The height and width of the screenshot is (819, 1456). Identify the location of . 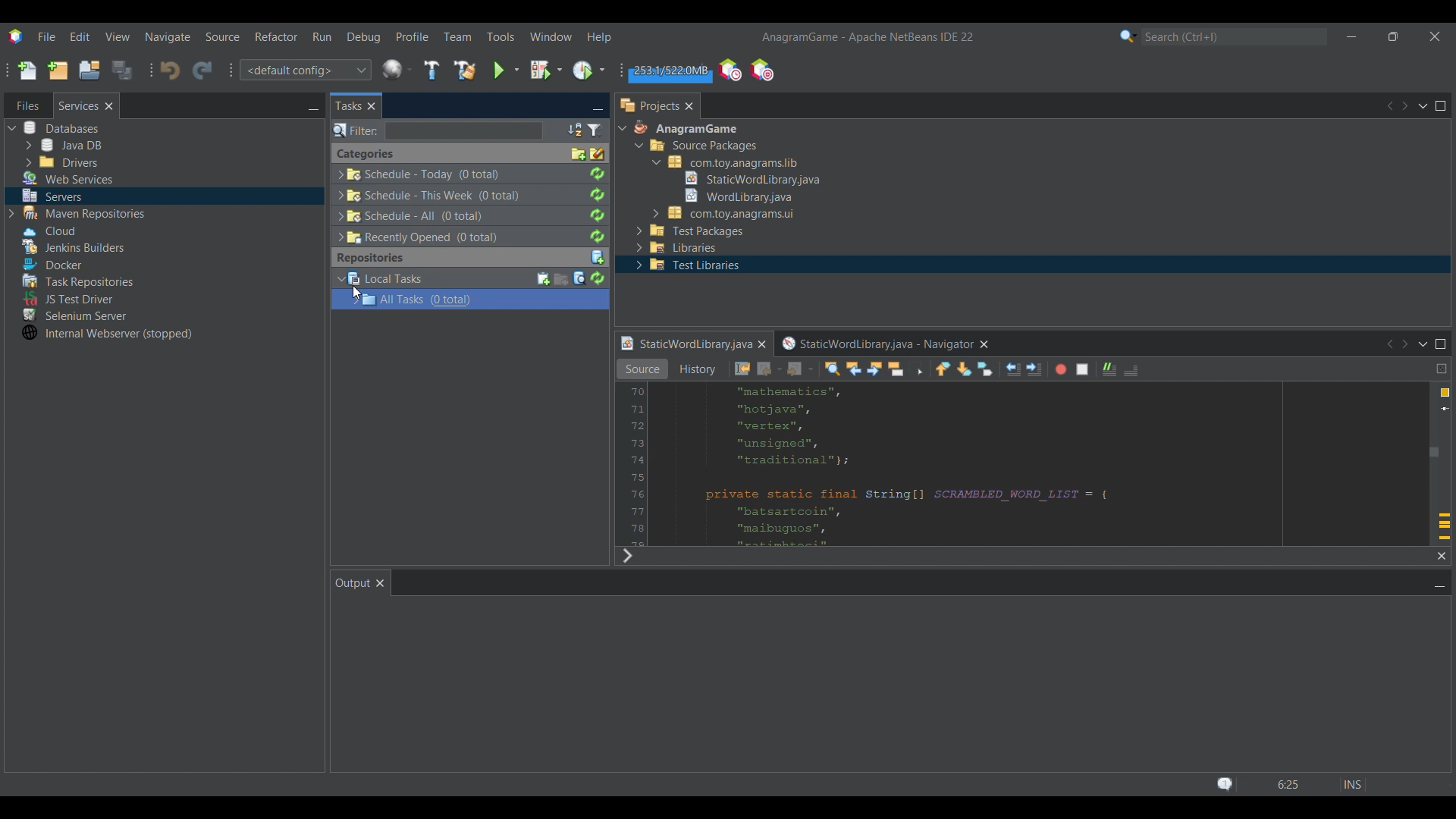
(939, 369).